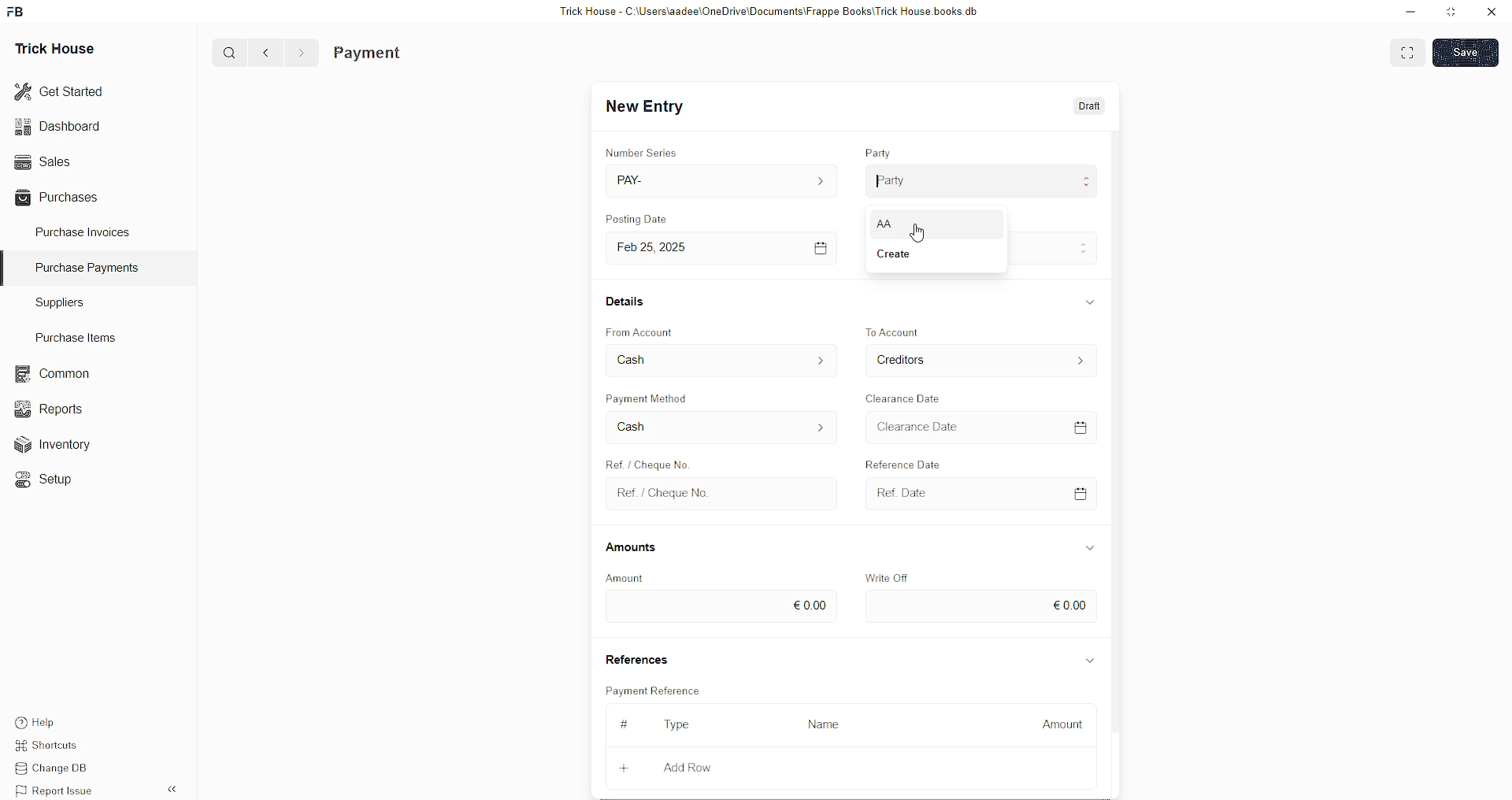 The image size is (1512, 800). I want to click on <, so click(262, 52).